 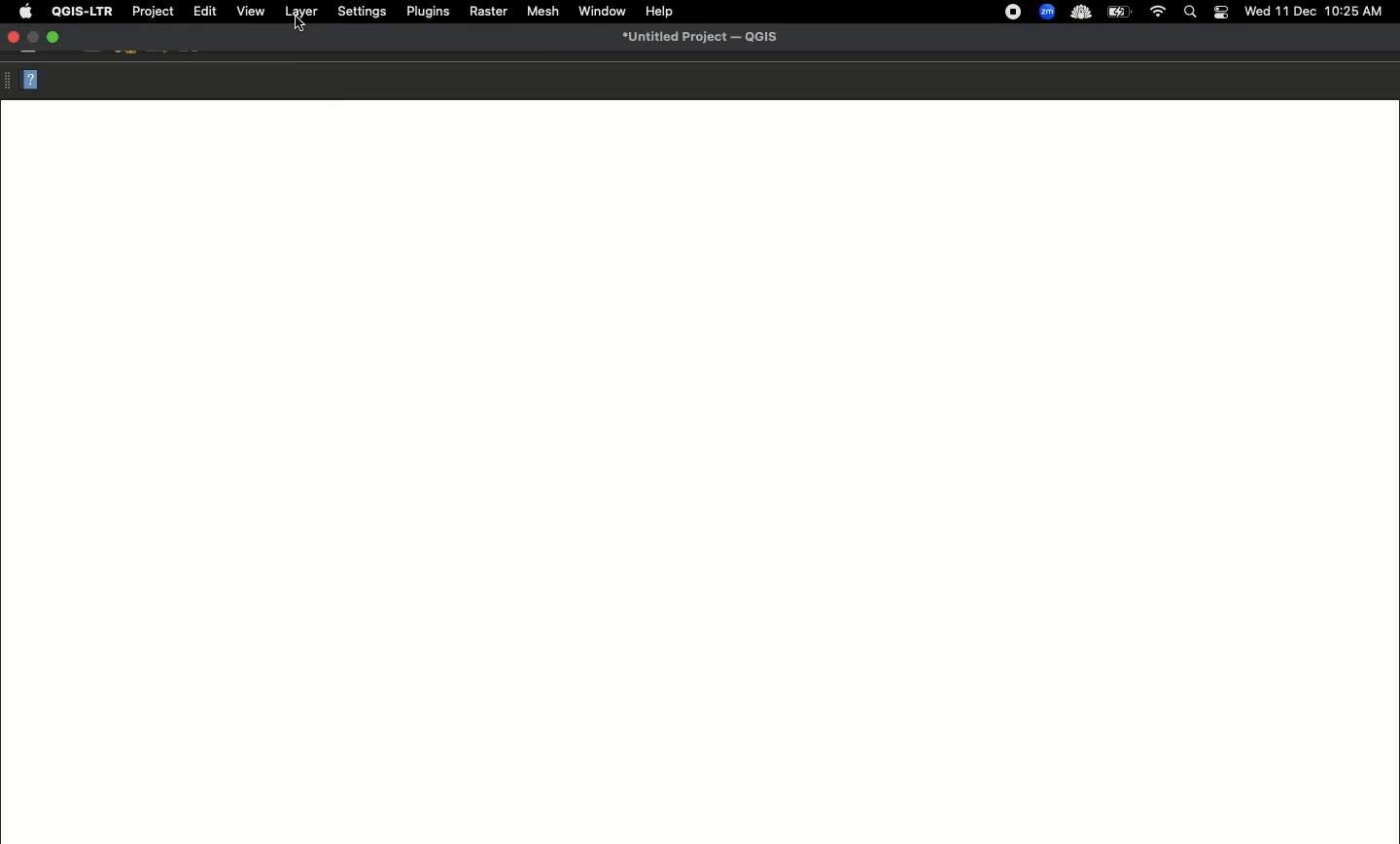 I want to click on View, so click(x=250, y=12).